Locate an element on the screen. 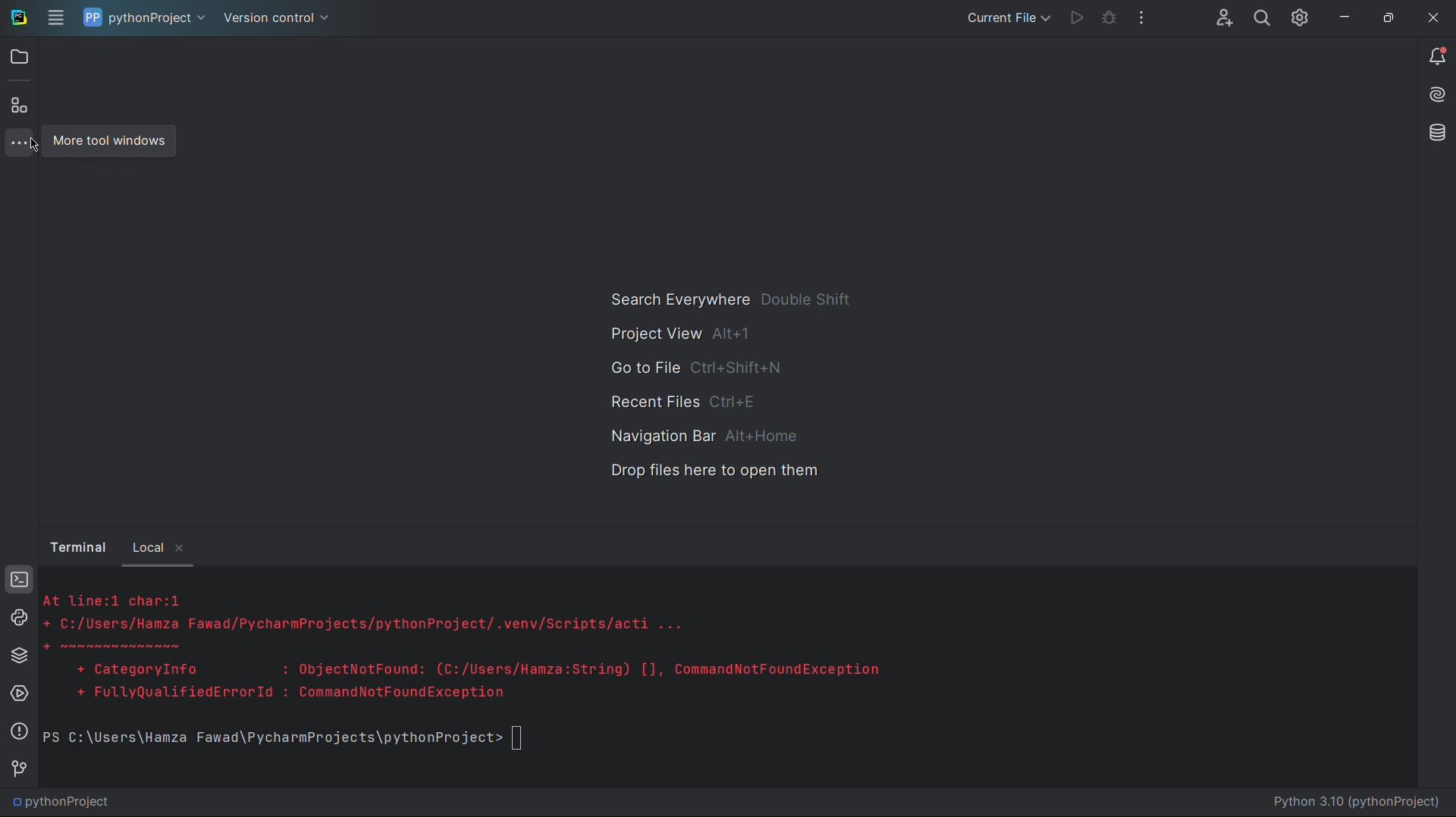 The height and width of the screenshot is (817, 1456). 0 pythonProject is located at coordinates (61, 803).